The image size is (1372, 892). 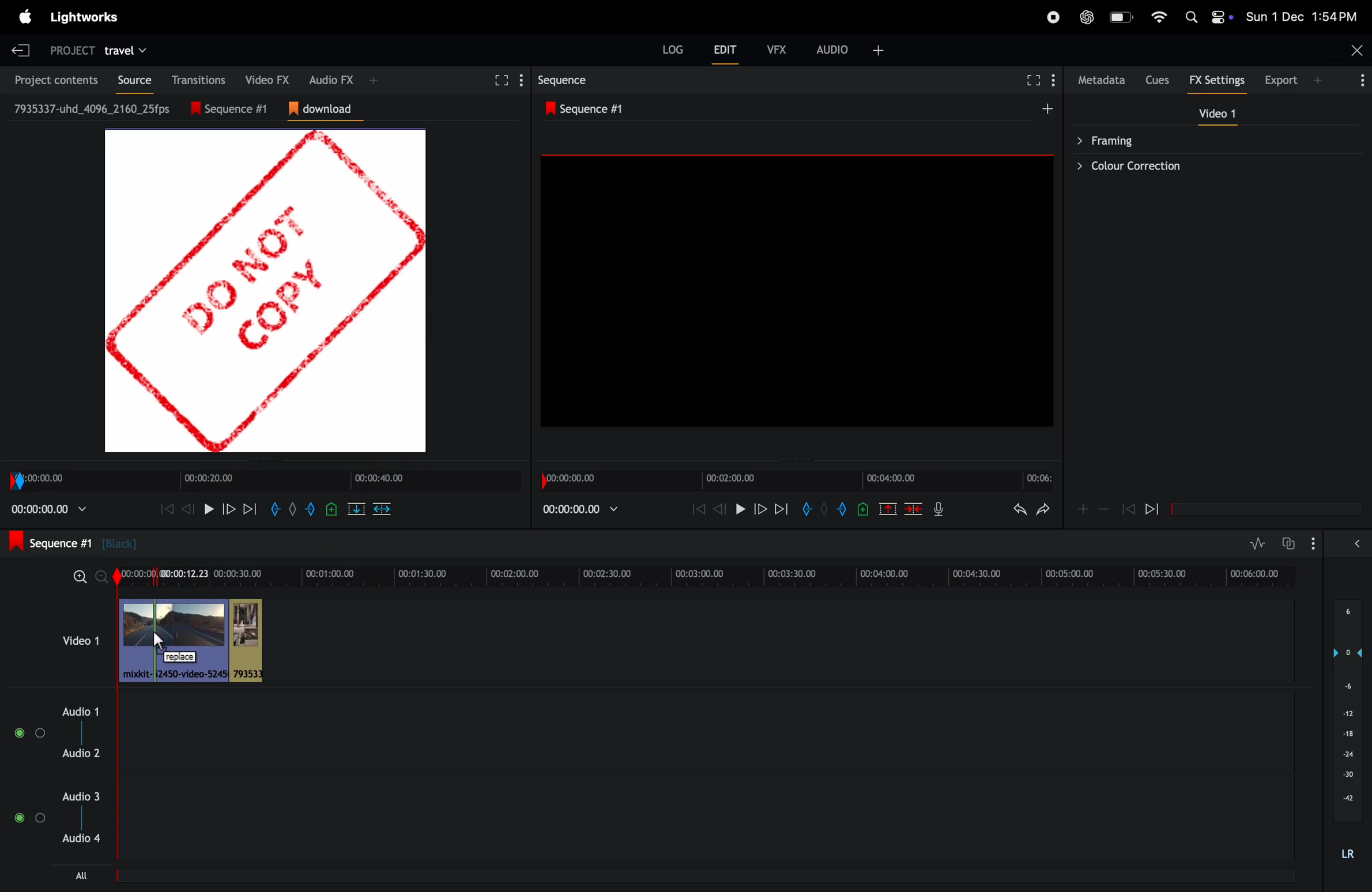 What do you see at coordinates (698, 508) in the screenshot?
I see `rewind` at bounding box center [698, 508].